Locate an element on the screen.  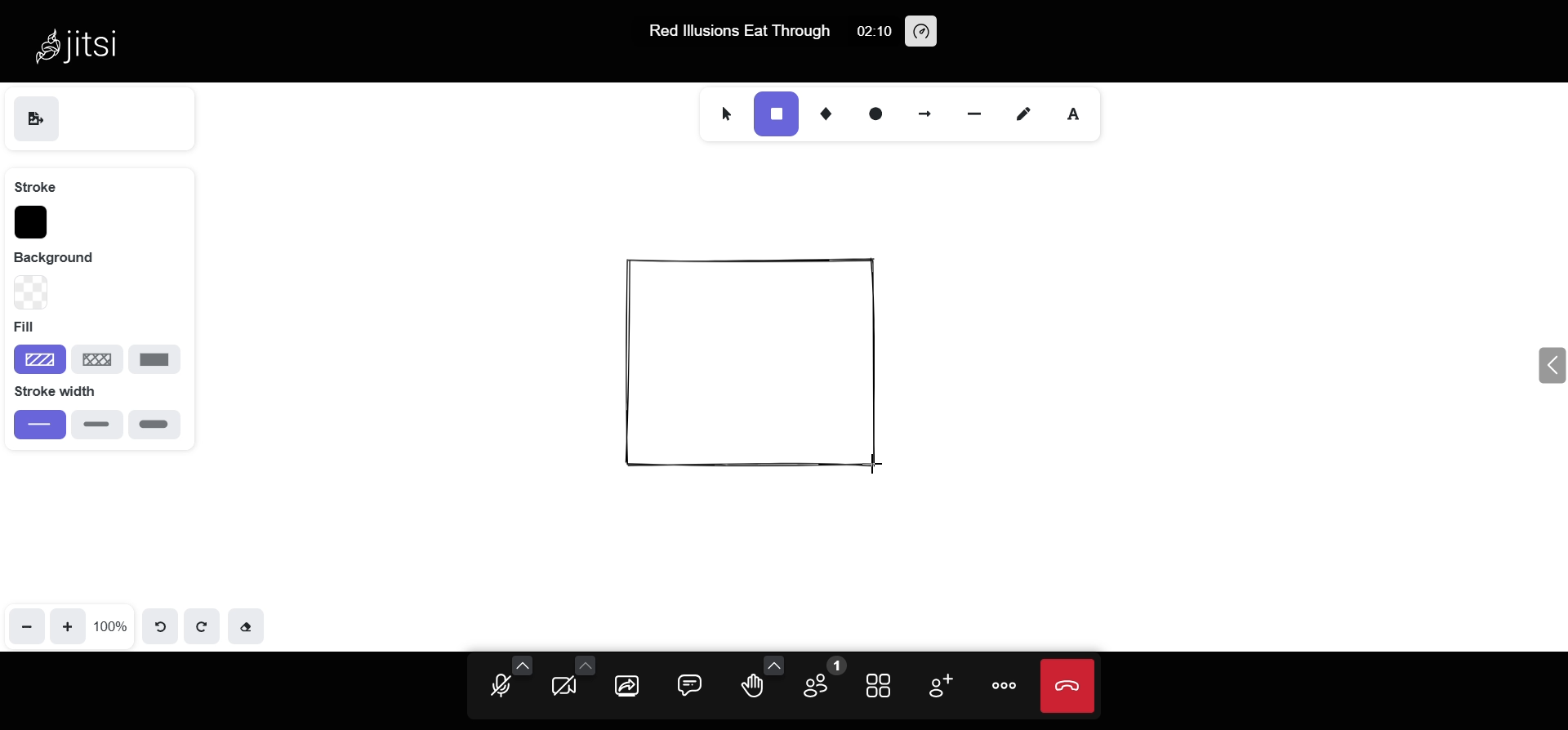
stroke is located at coordinates (35, 185).